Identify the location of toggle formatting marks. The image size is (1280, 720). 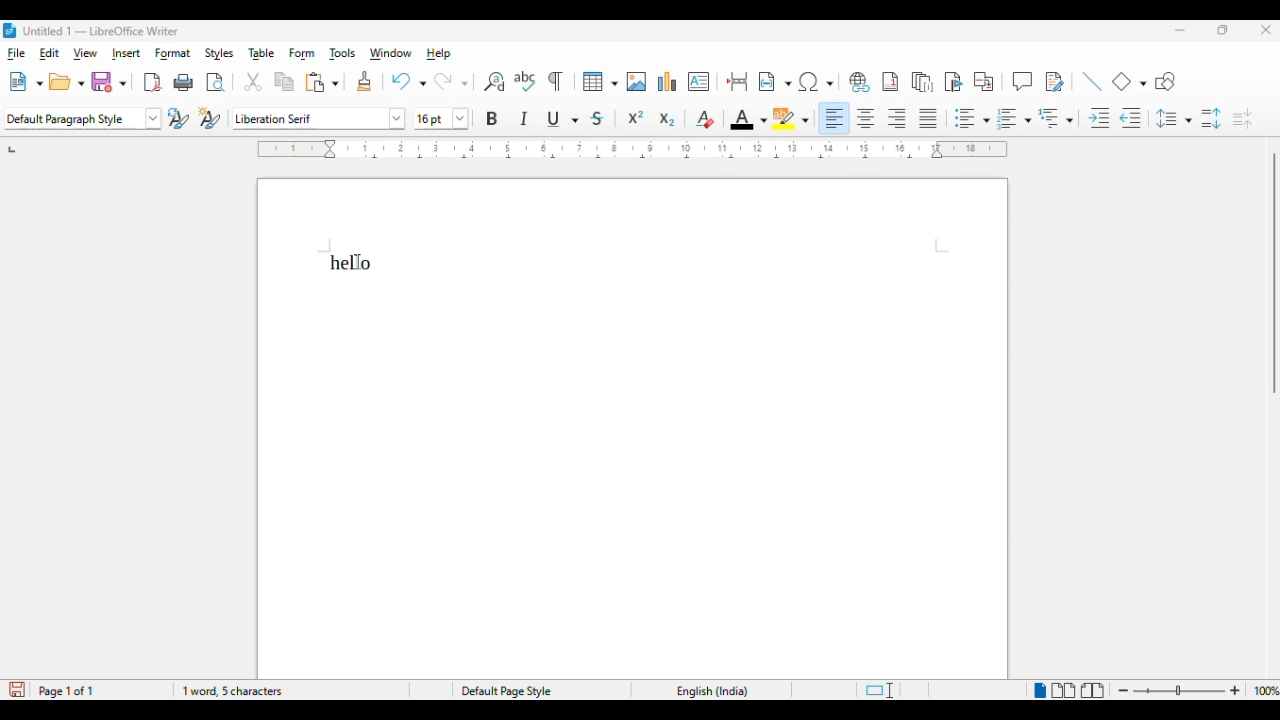
(555, 81).